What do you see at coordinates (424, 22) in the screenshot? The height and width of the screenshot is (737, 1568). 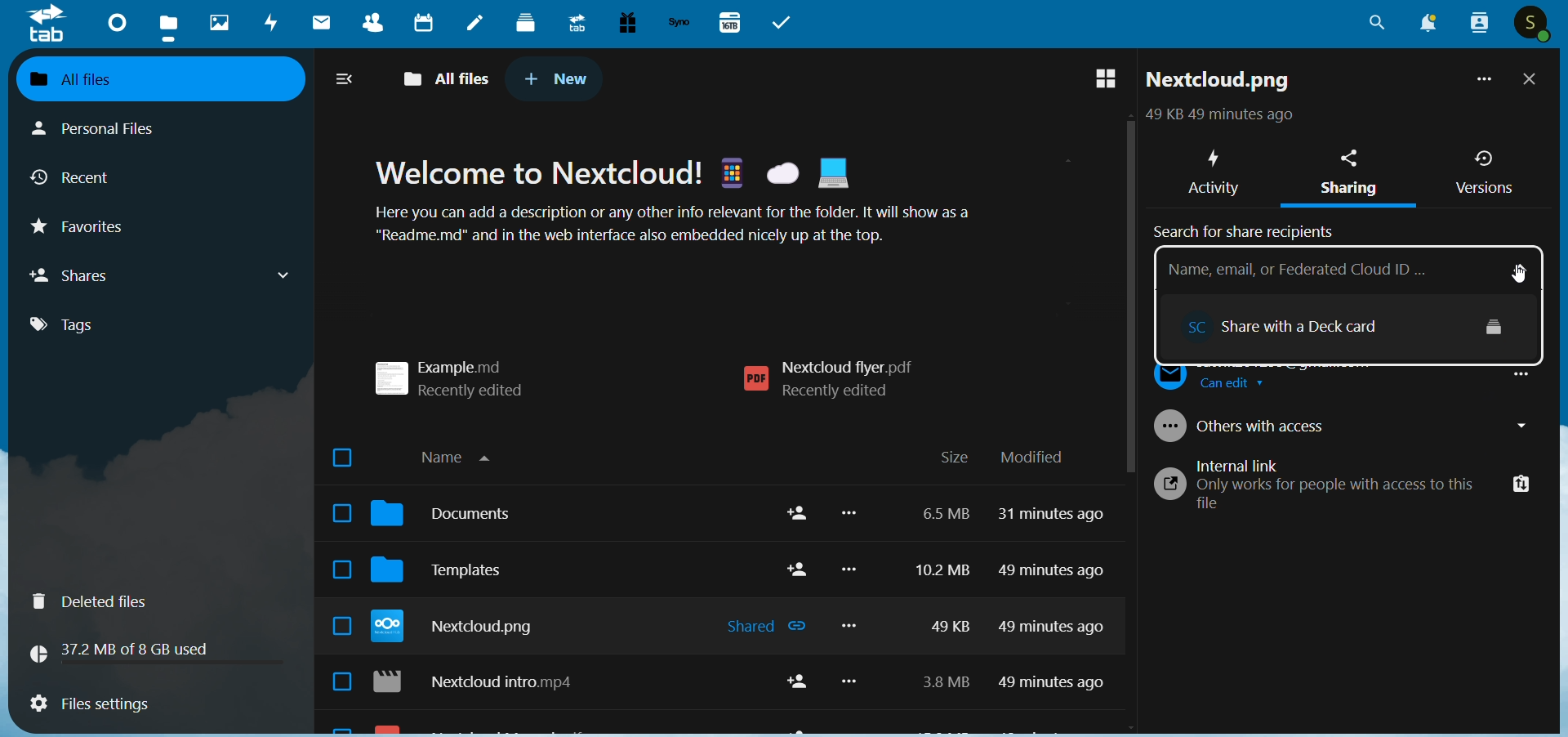 I see `calendar` at bounding box center [424, 22].